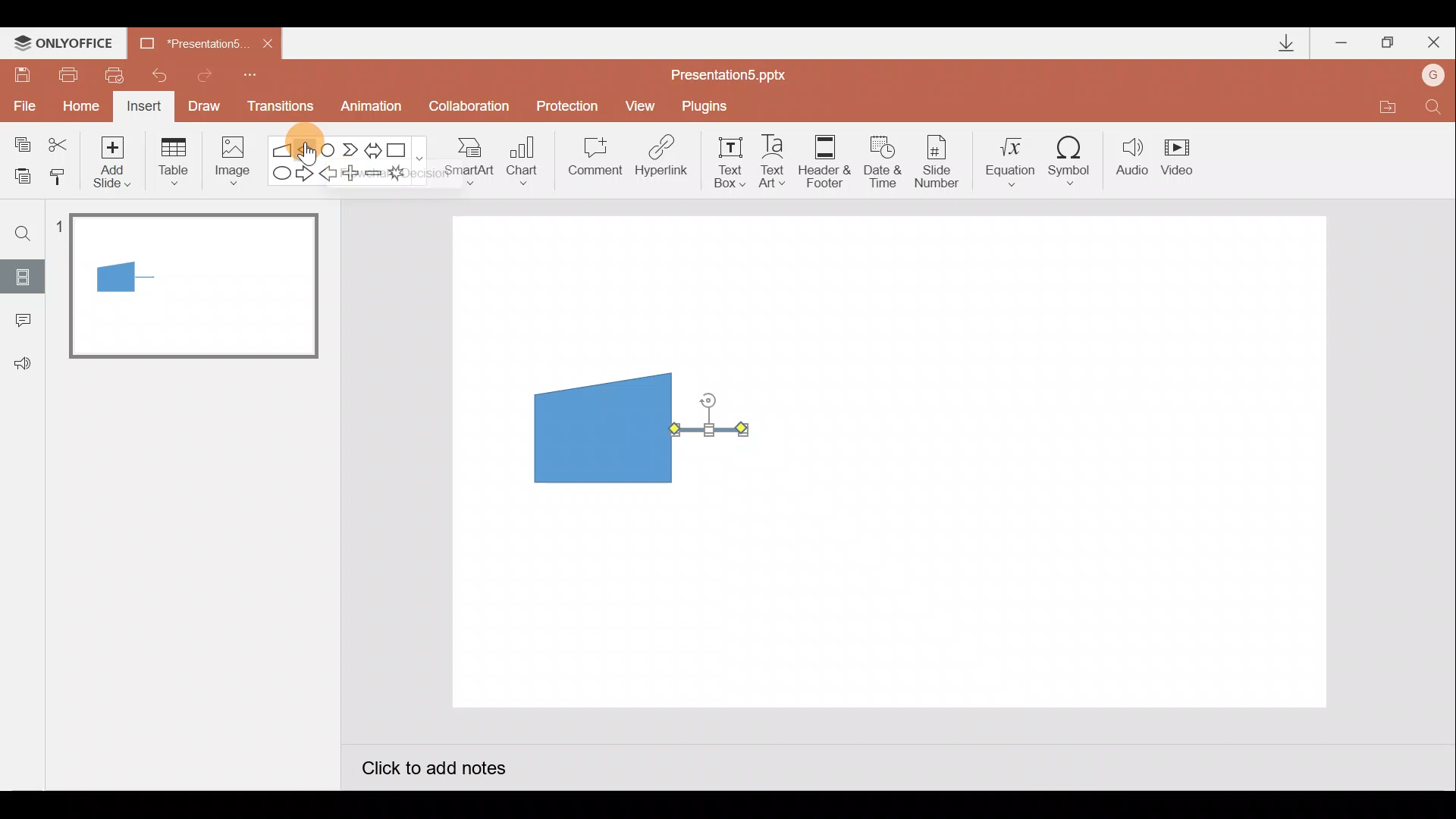  Describe the element at coordinates (228, 160) in the screenshot. I see `Image` at that location.